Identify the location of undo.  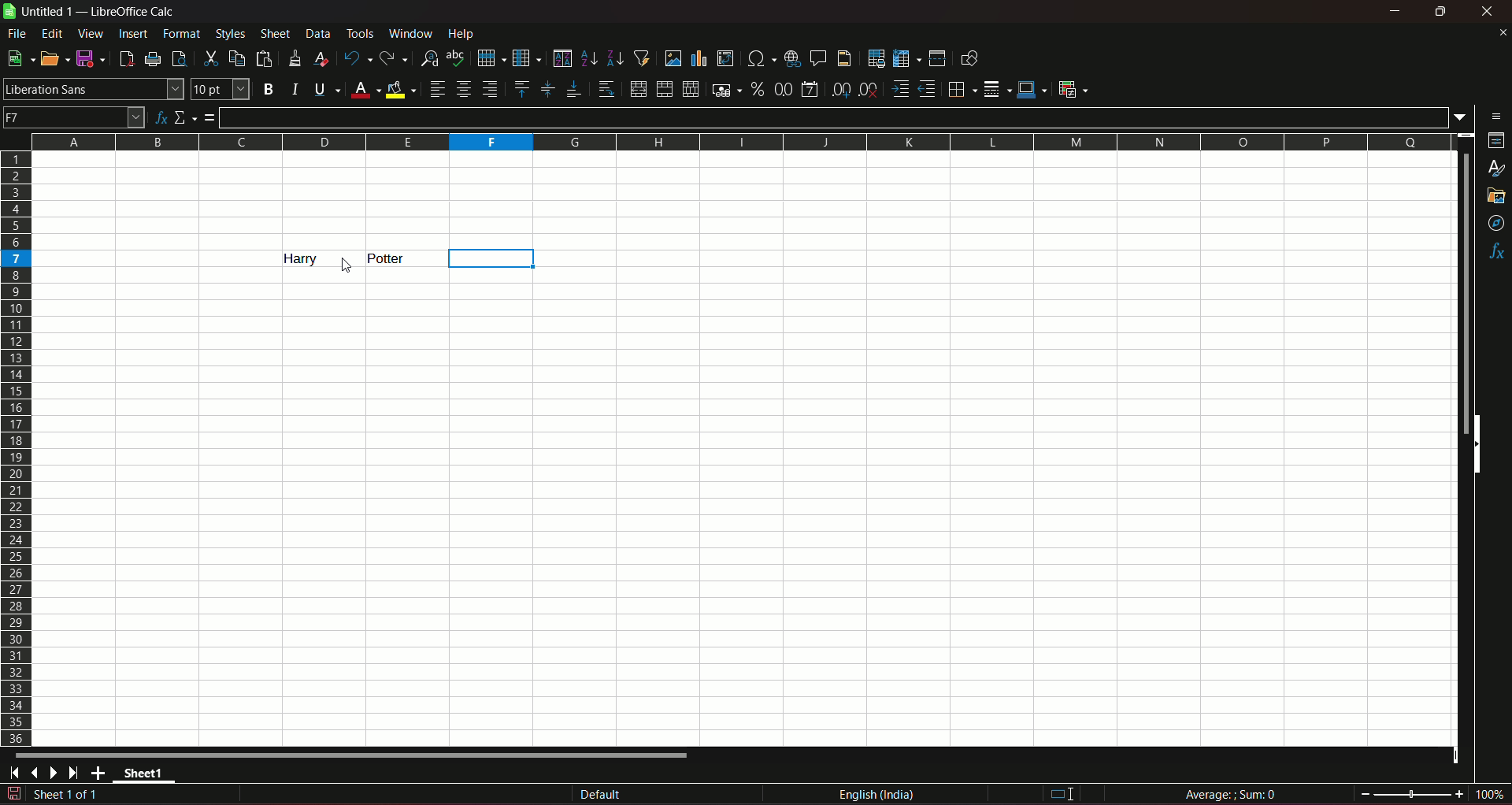
(356, 57).